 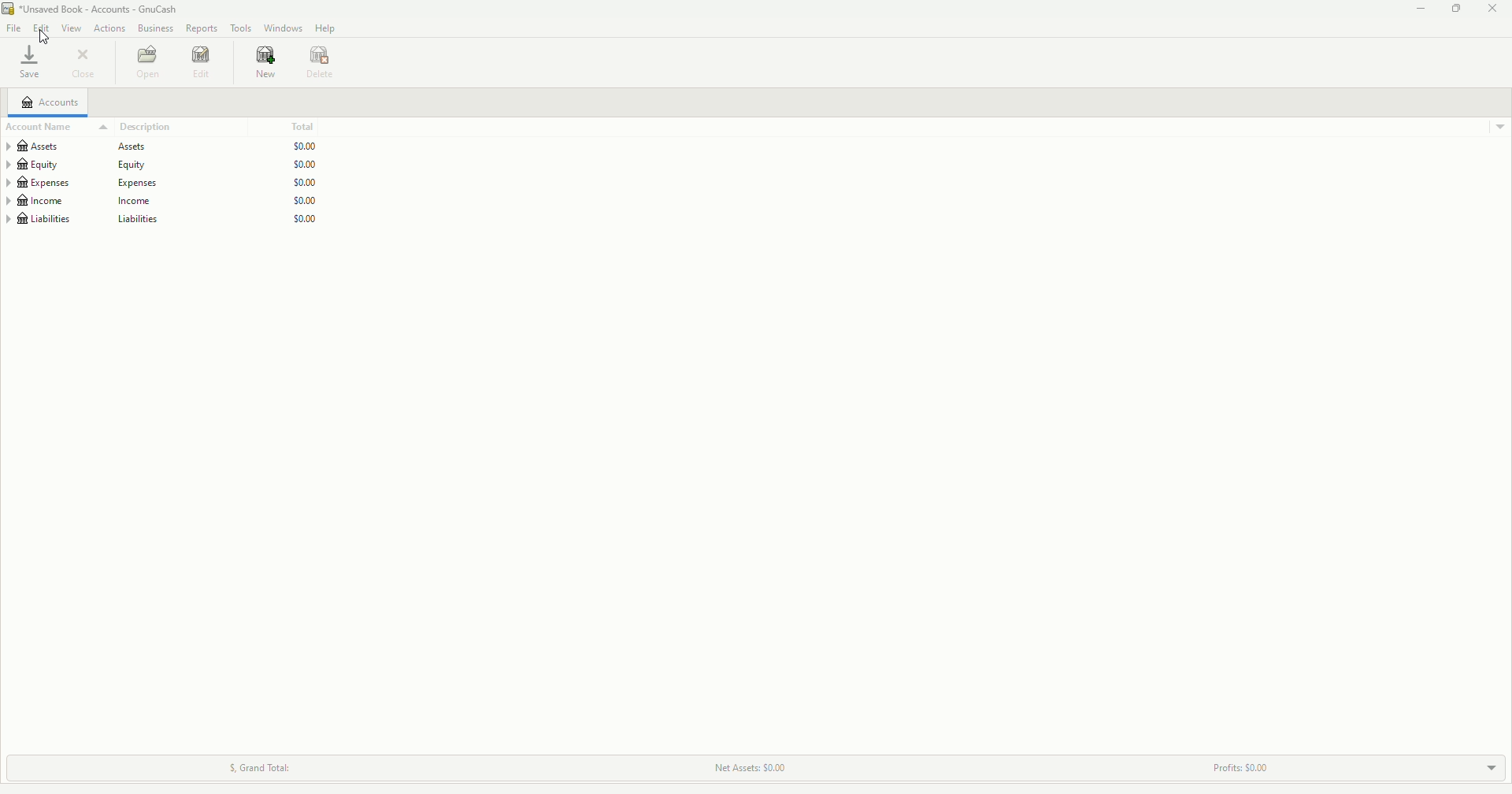 I want to click on Close, so click(x=1492, y=8).